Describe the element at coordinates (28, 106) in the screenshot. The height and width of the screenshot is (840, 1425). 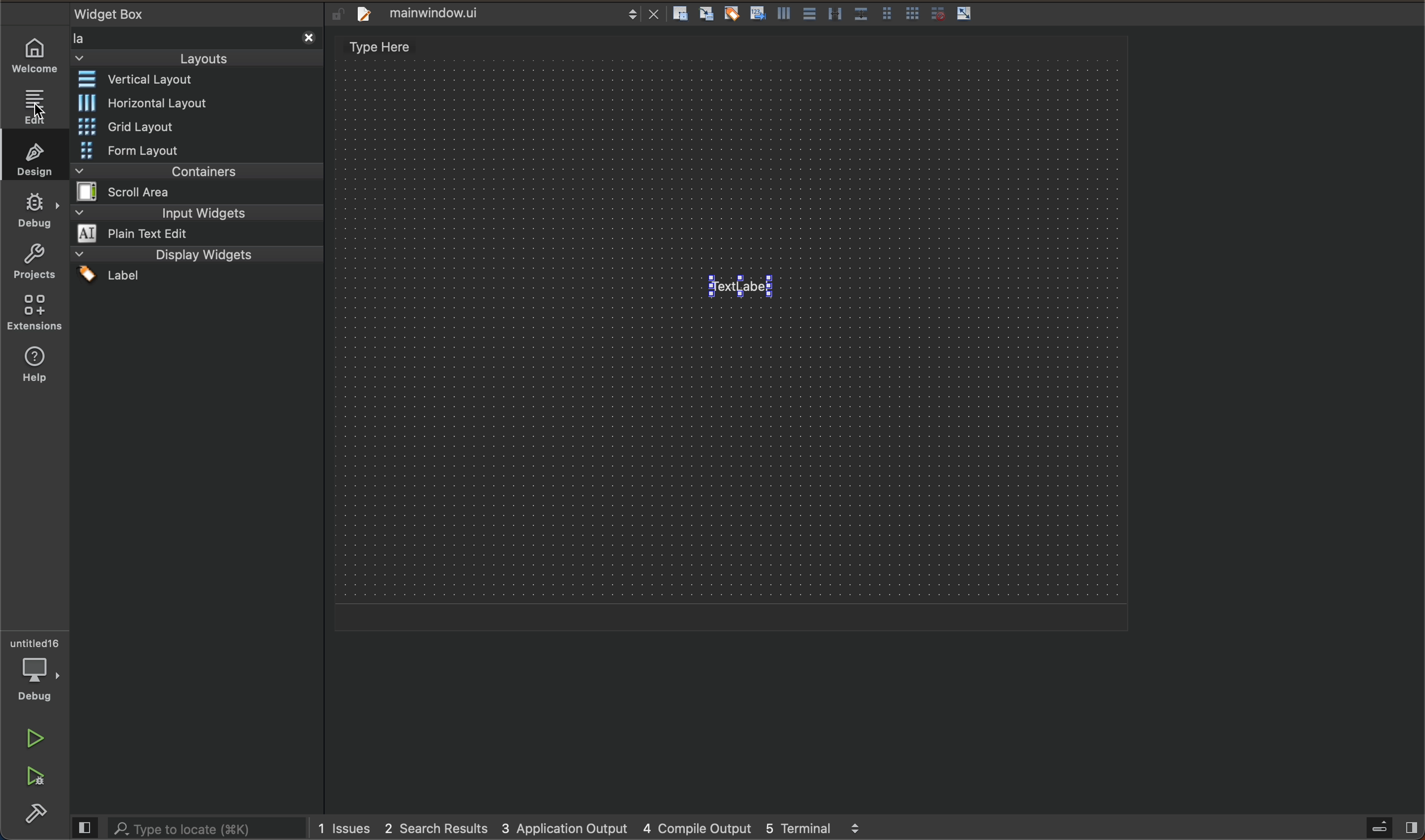
I see `edit` at that location.